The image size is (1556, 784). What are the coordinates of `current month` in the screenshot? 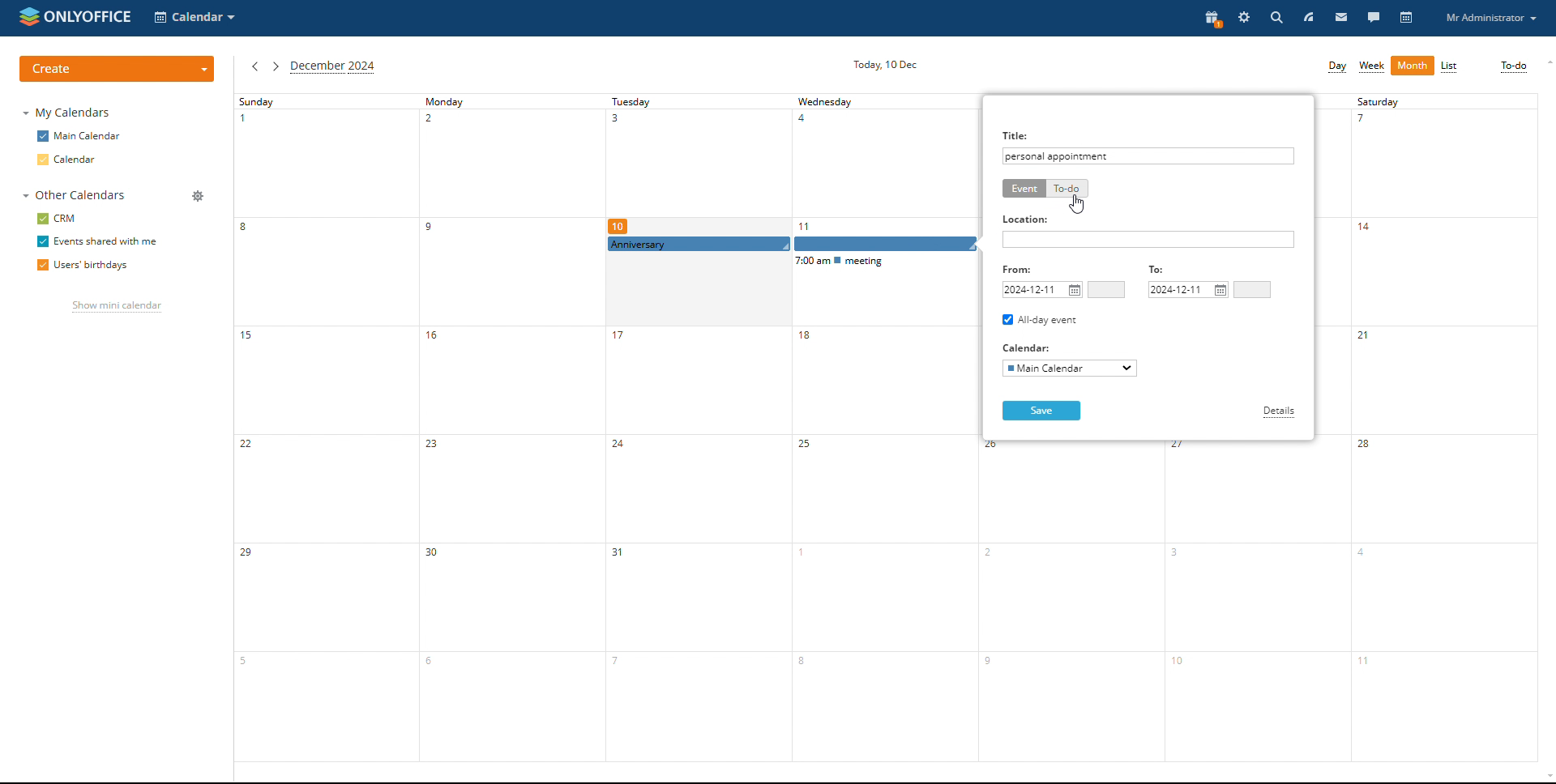 It's located at (333, 67).